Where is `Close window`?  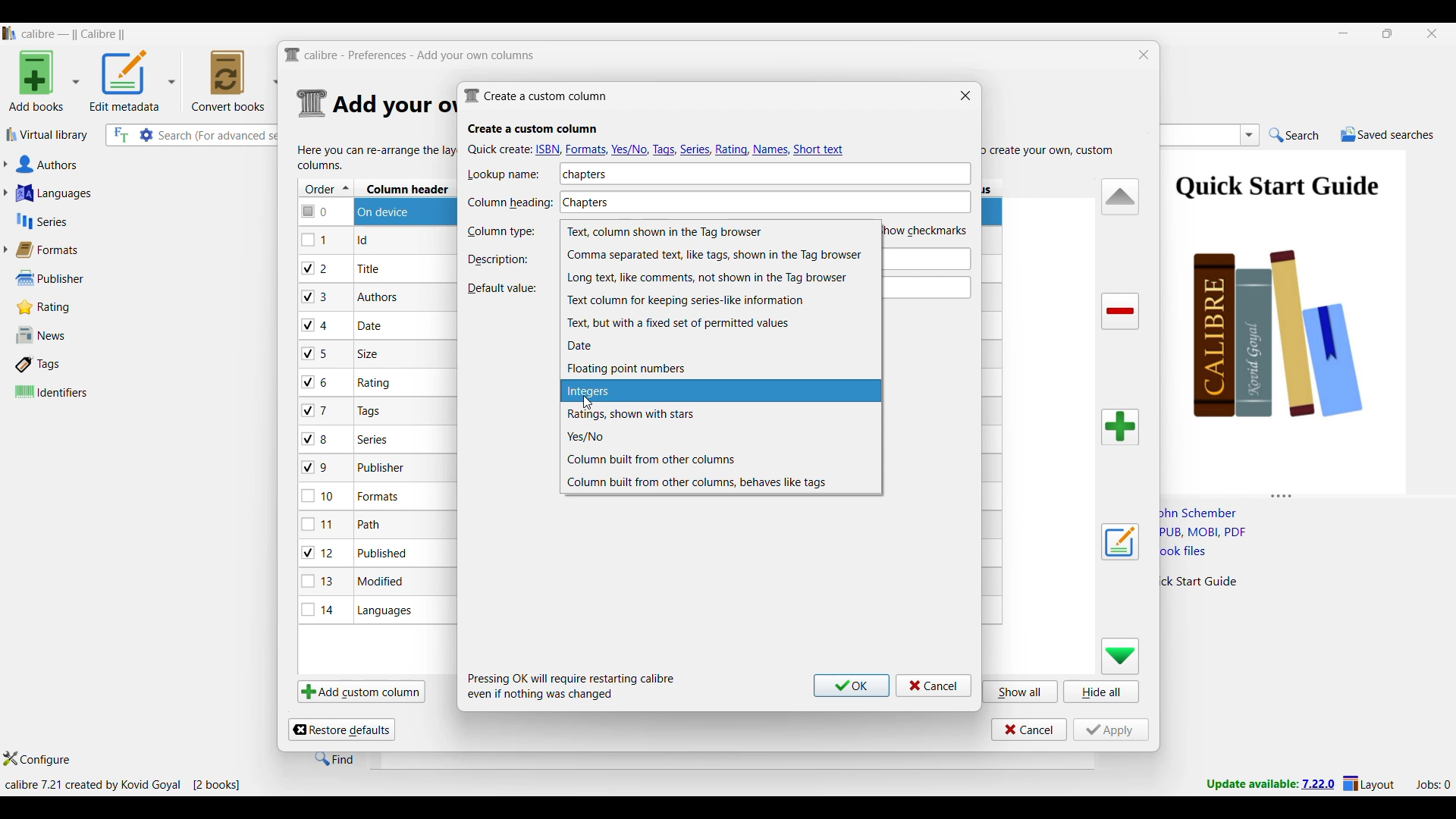
Close window is located at coordinates (965, 95).